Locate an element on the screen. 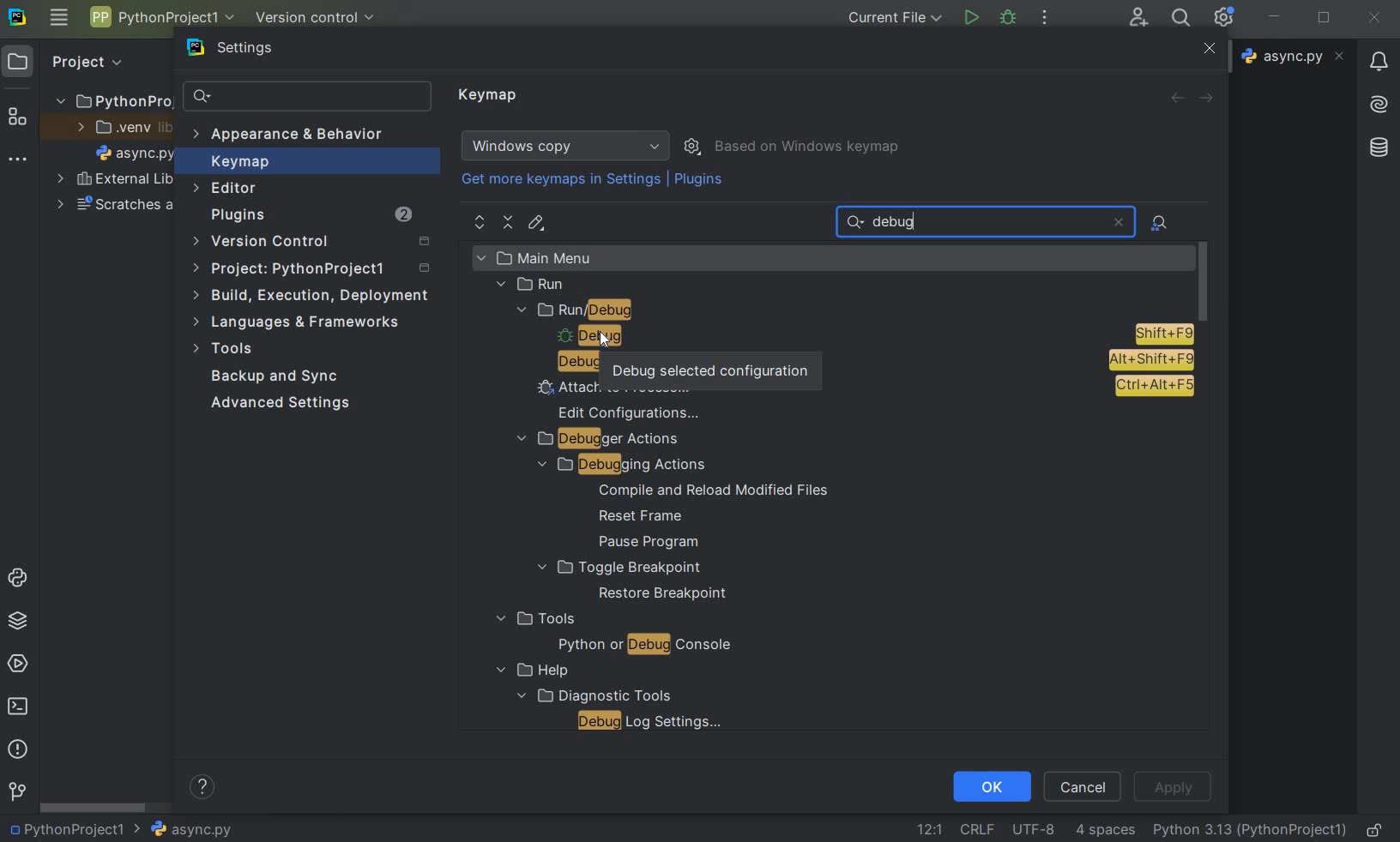 This screenshot has width=1400, height=842. plugins is located at coordinates (310, 217).